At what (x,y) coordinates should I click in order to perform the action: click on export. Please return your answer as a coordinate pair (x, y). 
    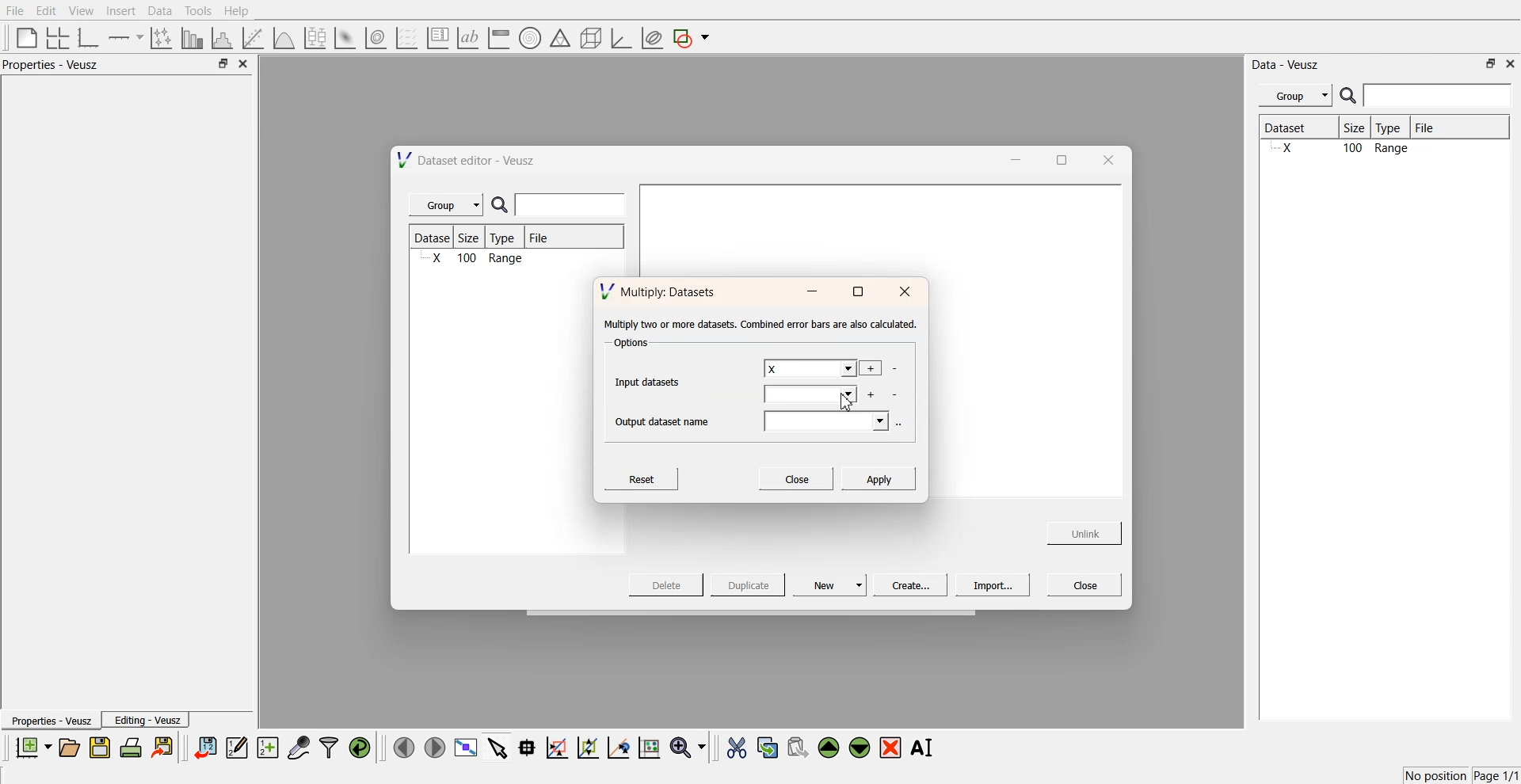
    Looking at the image, I should click on (164, 747).